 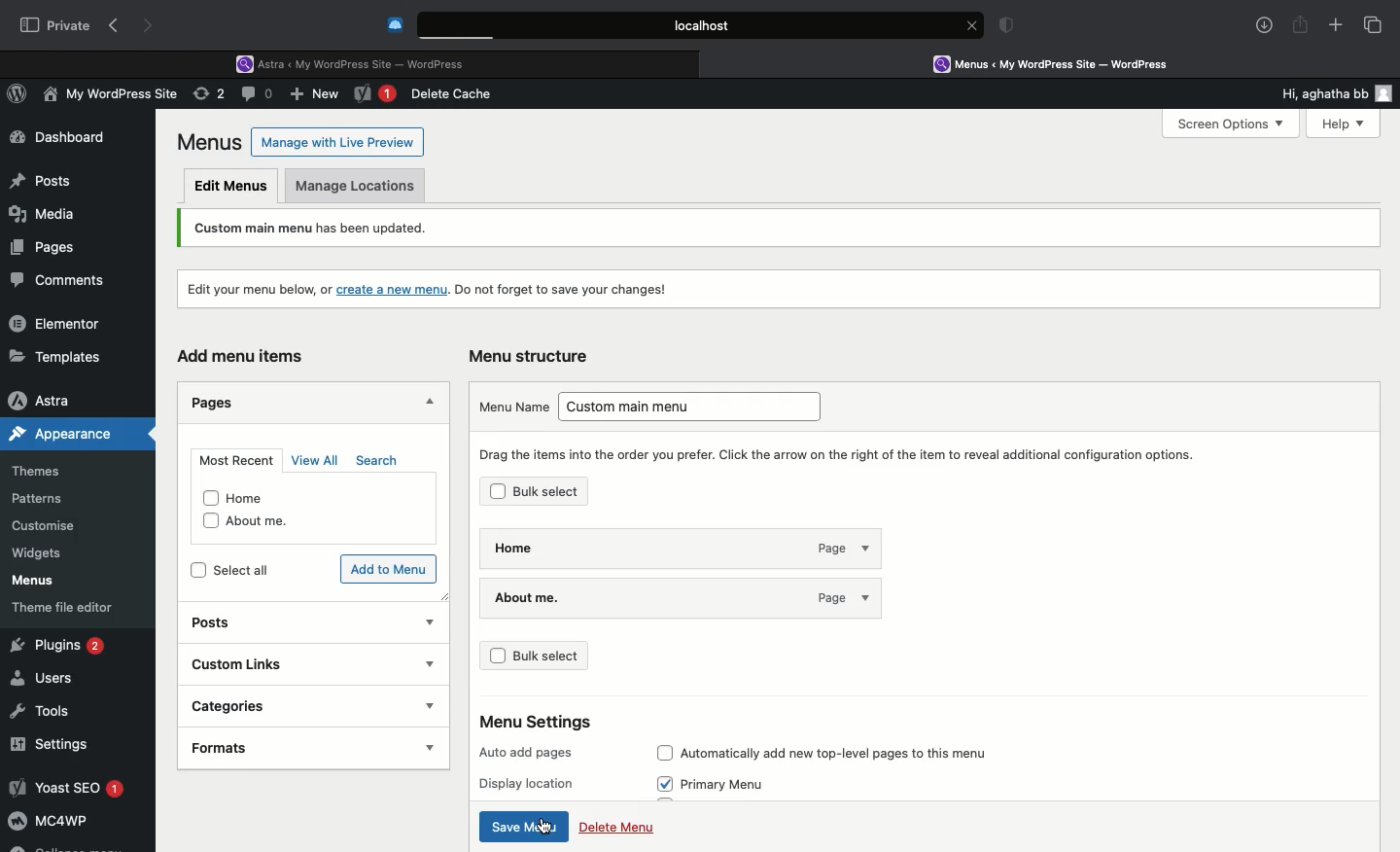 I want to click on checkbox, so click(x=209, y=498).